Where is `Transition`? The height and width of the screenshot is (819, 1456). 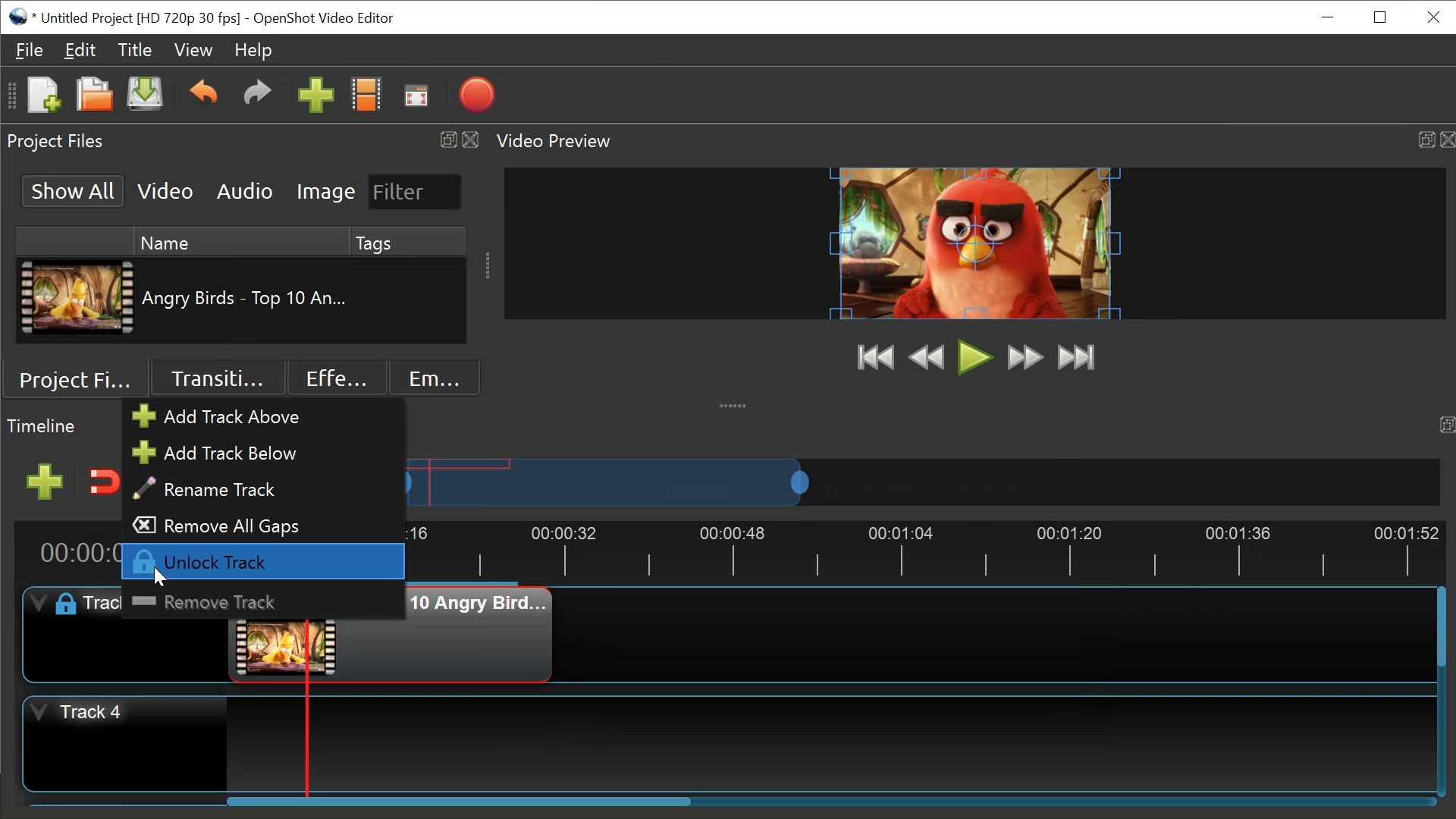
Transition is located at coordinates (217, 378).